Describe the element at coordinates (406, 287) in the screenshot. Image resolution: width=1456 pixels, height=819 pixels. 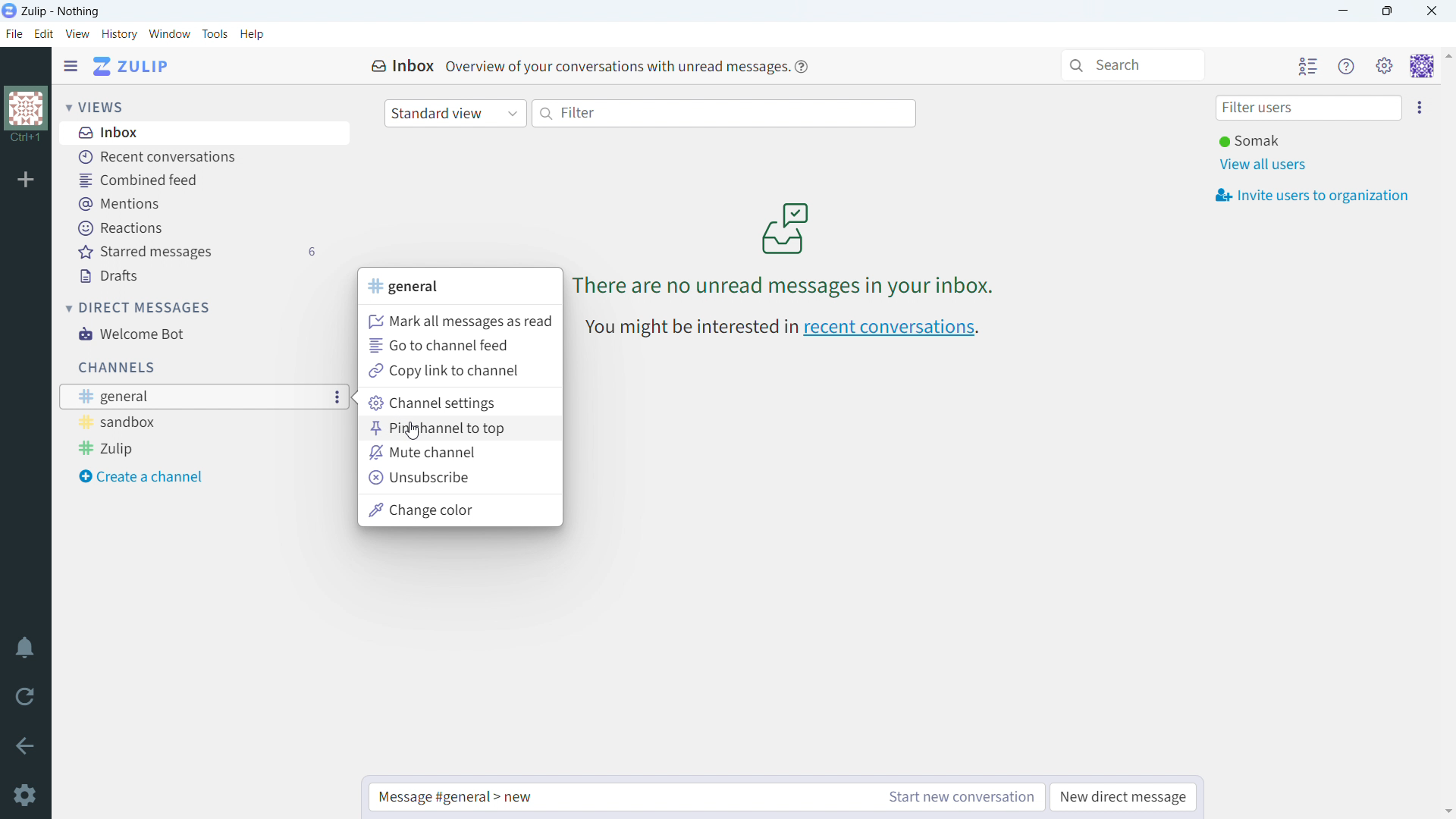
I see `general` at that location.